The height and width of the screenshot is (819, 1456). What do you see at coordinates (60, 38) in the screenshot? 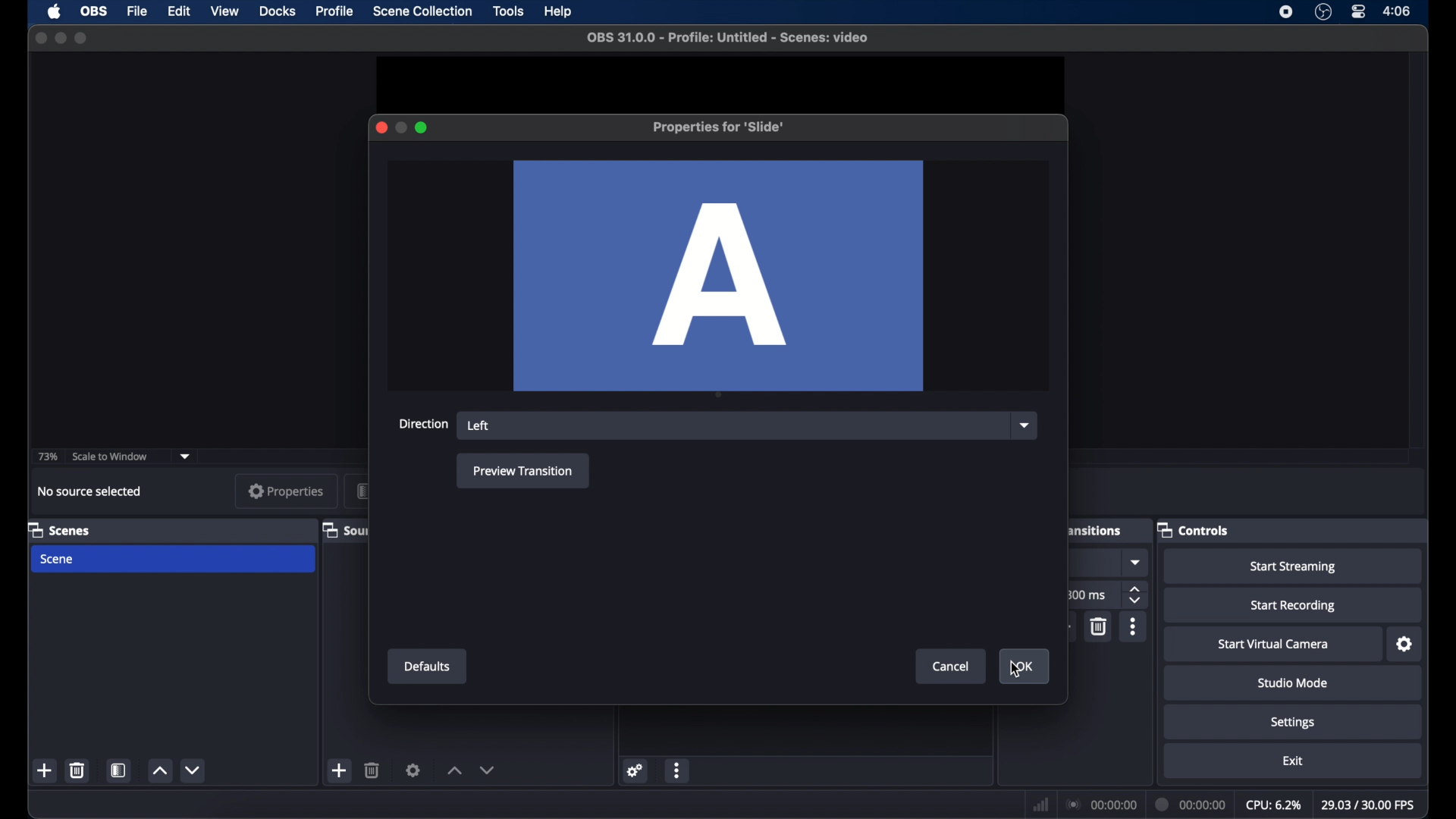
I see `minimize` at bounding box center [60, 38].